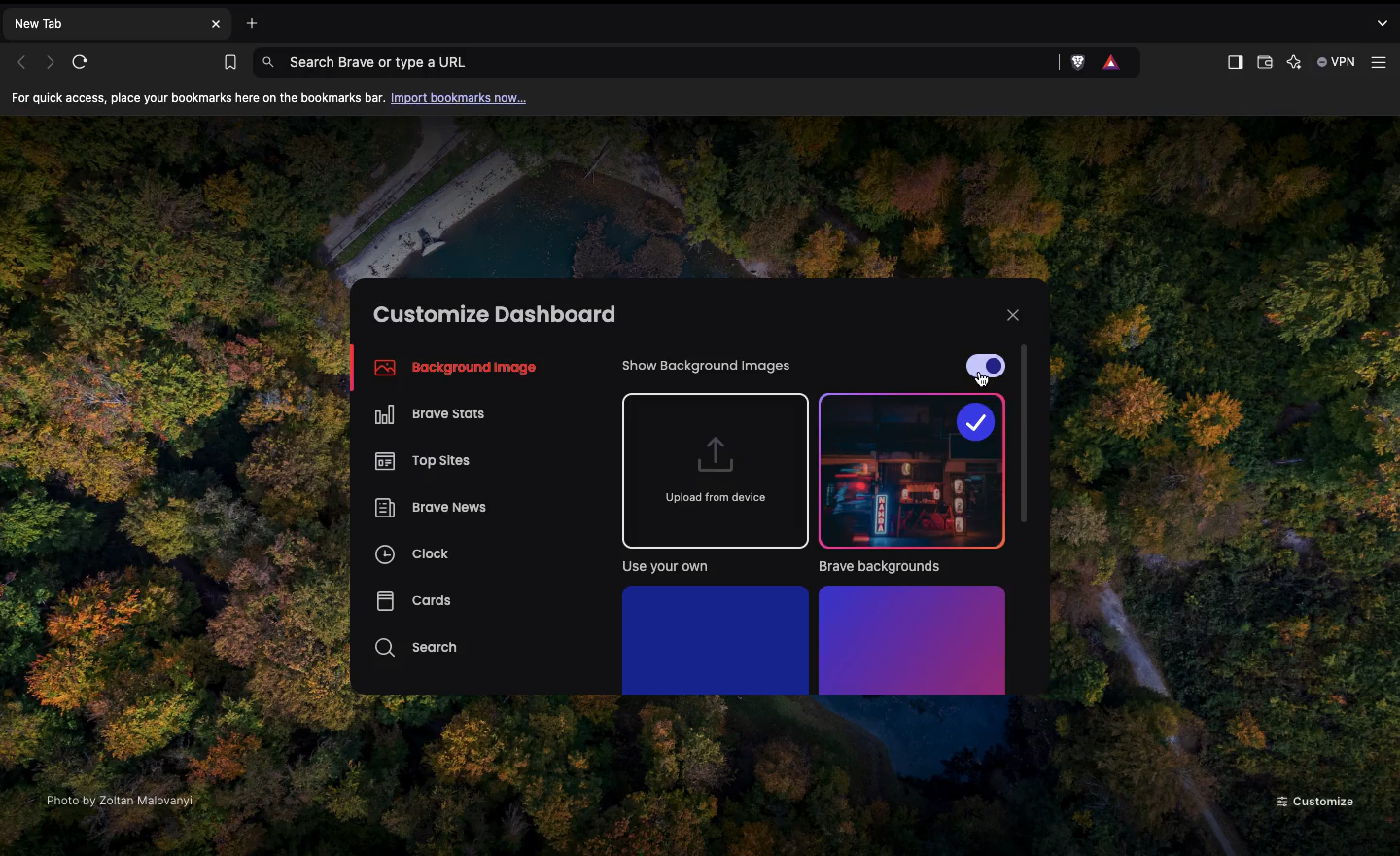  What do you see at coordinates (1022, 436) in the screenshot?
I see `Scroll bar` at bounding box center [1022, 436].